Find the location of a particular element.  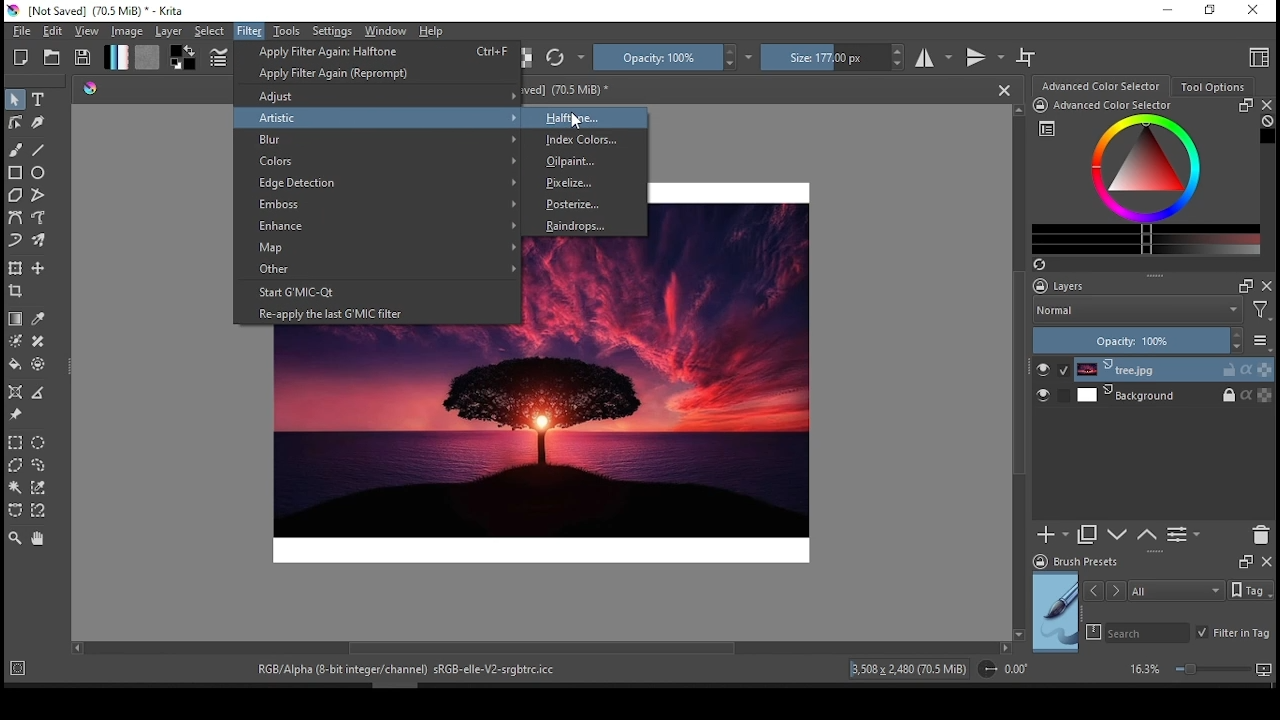

colors is located at coordinates (185, 57).